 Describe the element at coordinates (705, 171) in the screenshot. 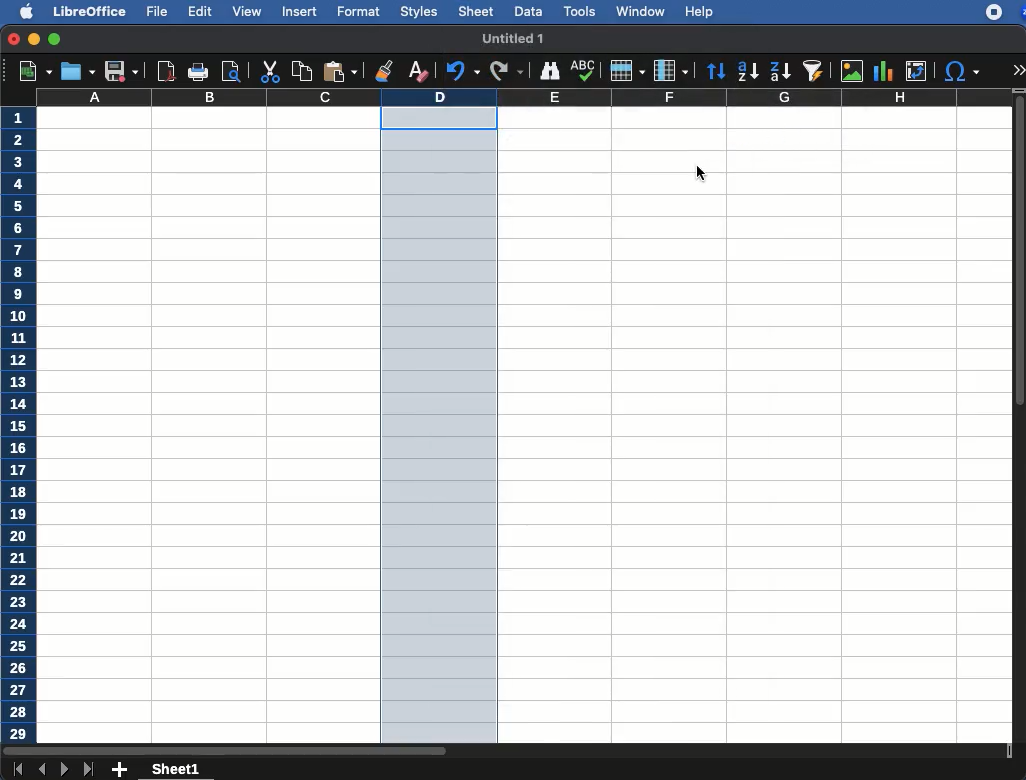

I see `cursor` at that location.